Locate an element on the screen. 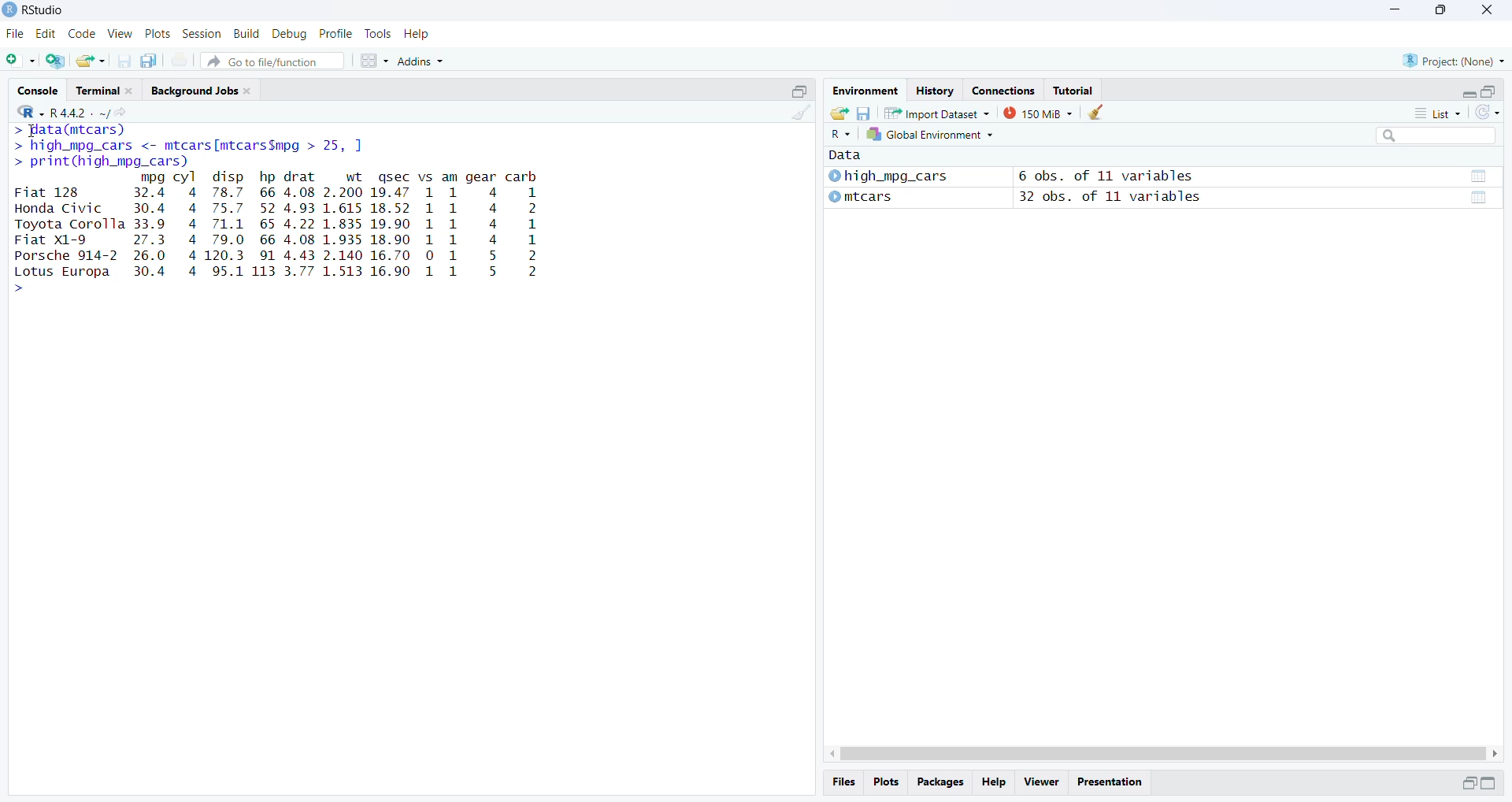  high_mpg_cars <- mtcars|mtcarsSmpg > 25 ] is located at coordinates (191, 147).